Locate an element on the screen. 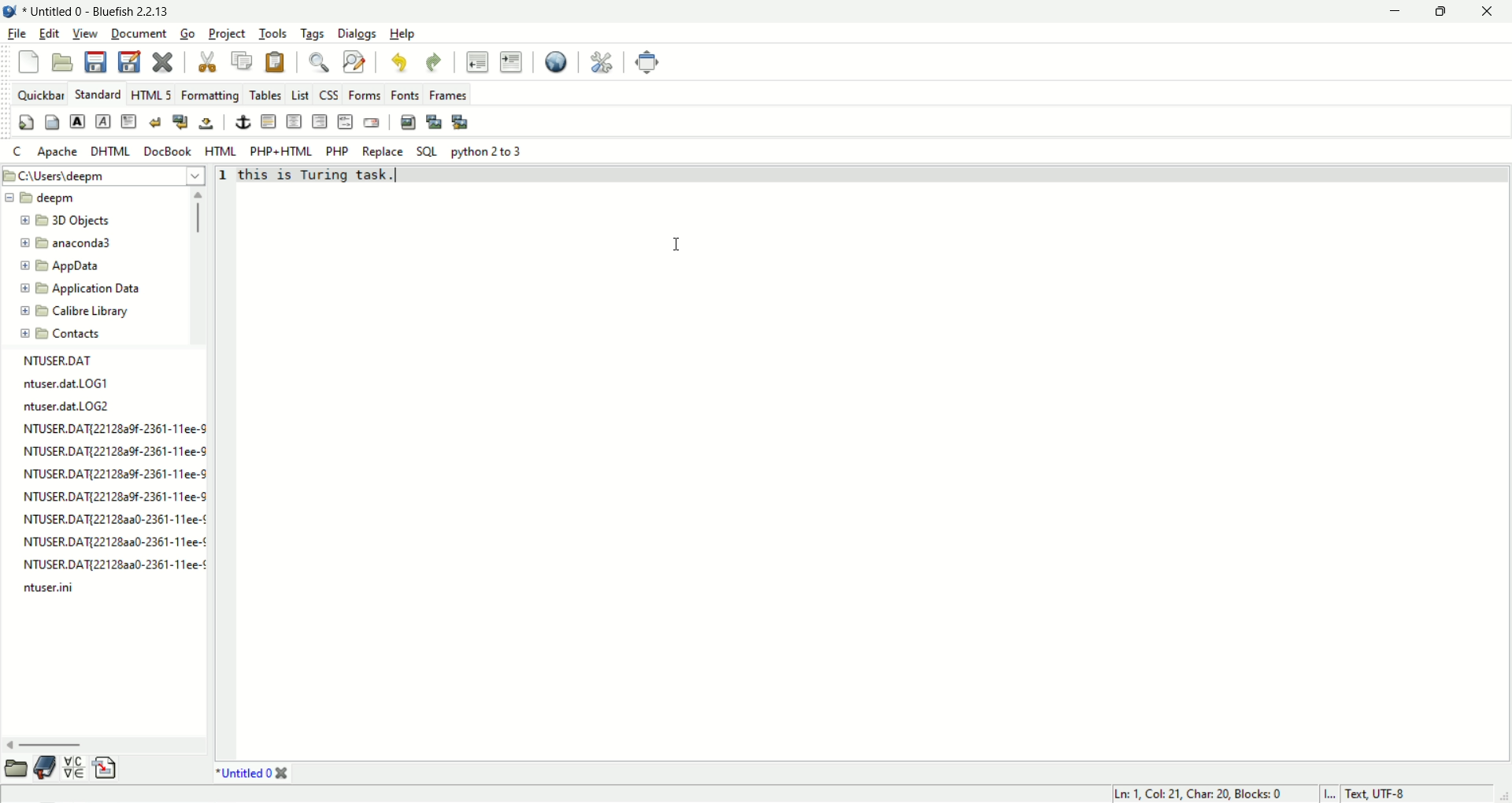 The width and height of the screenshot is (1512, 803). tables is located at coordinates (266, 95).